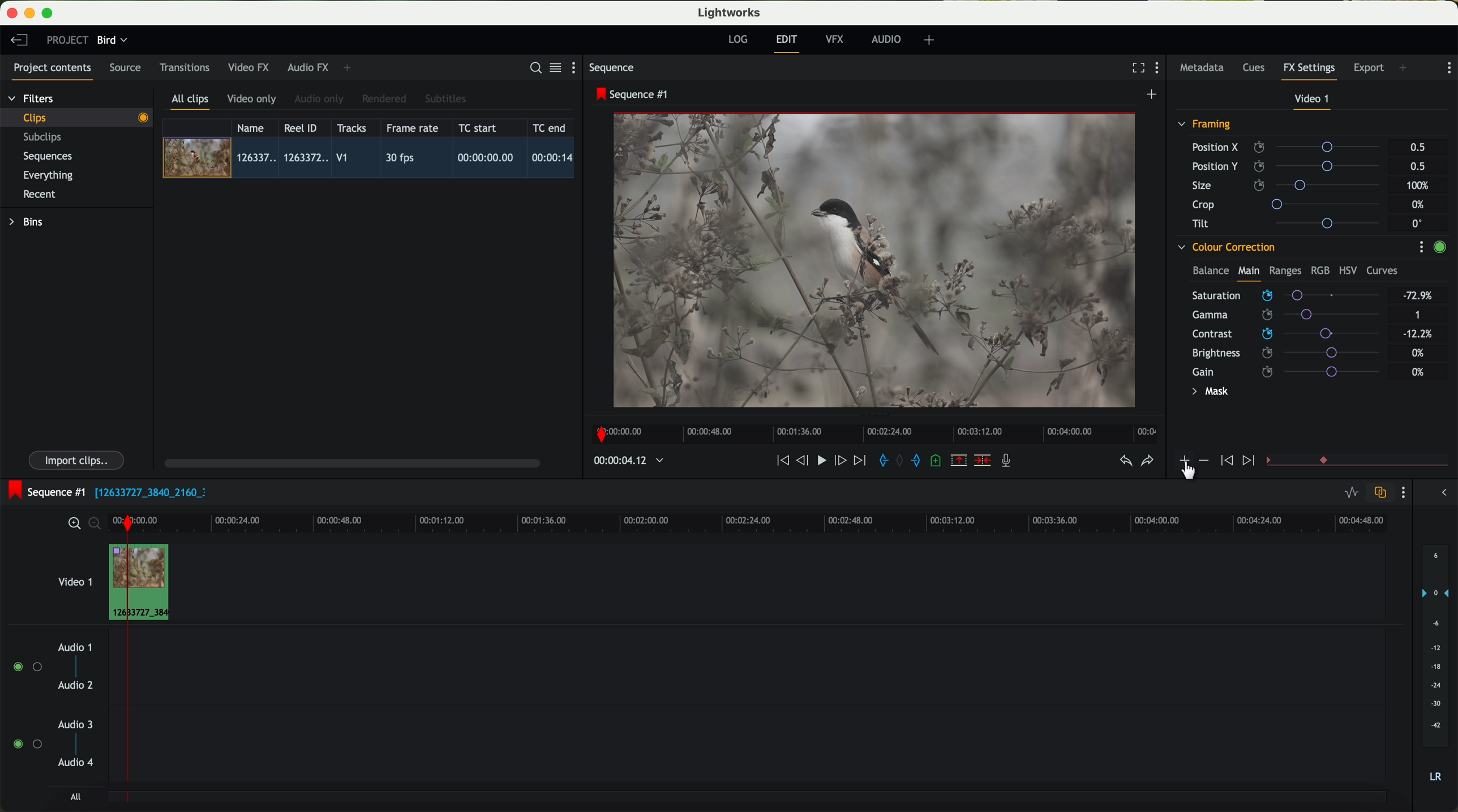 Image resolution: width=1458 pixels, height=812 pixels. Describe the element at coordinates (350, 68) in the screenshot. I see `add panel` at that location.